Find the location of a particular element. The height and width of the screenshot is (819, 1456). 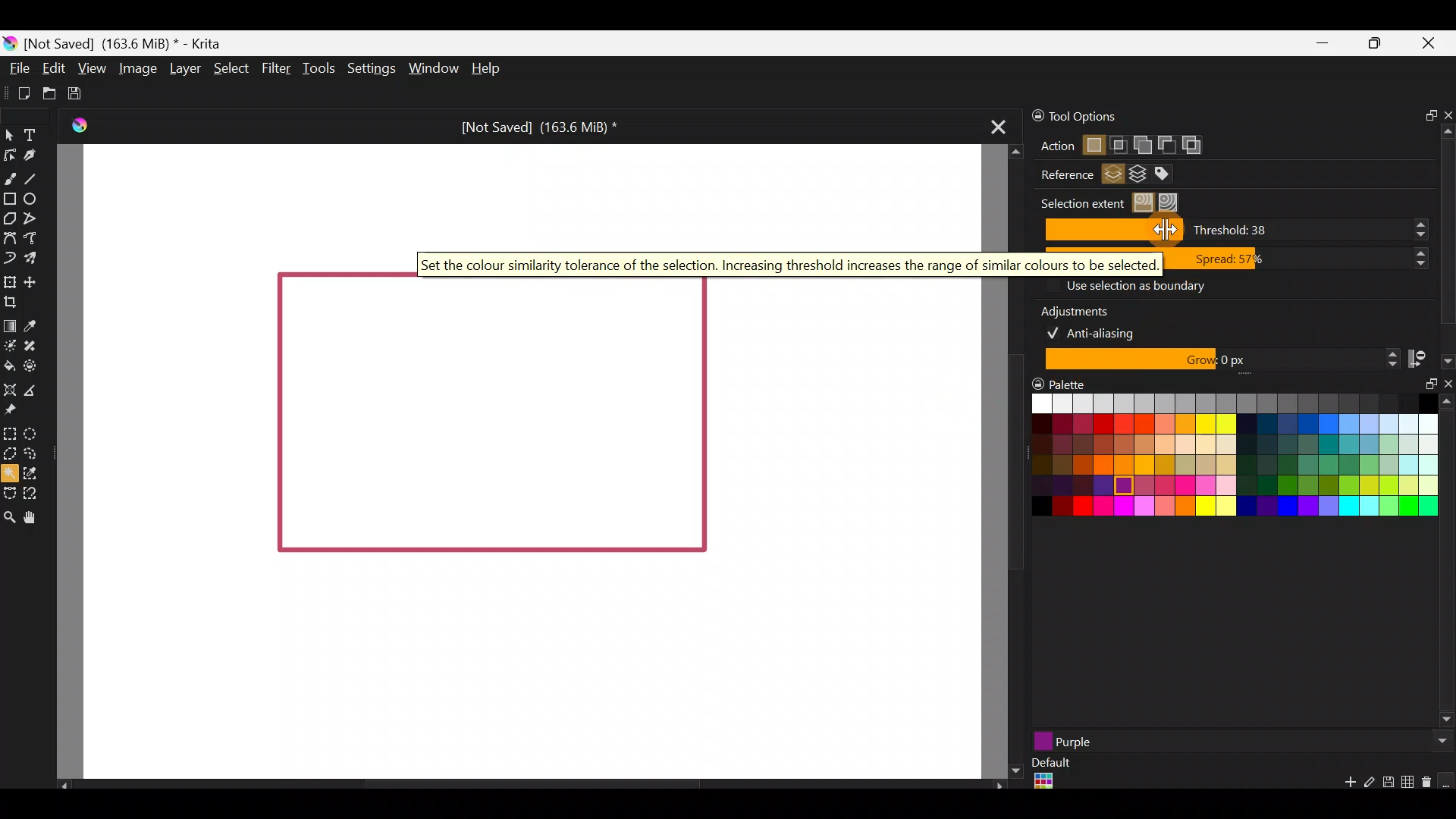

Similar colour selection tool is located at coordinates (42, 472).